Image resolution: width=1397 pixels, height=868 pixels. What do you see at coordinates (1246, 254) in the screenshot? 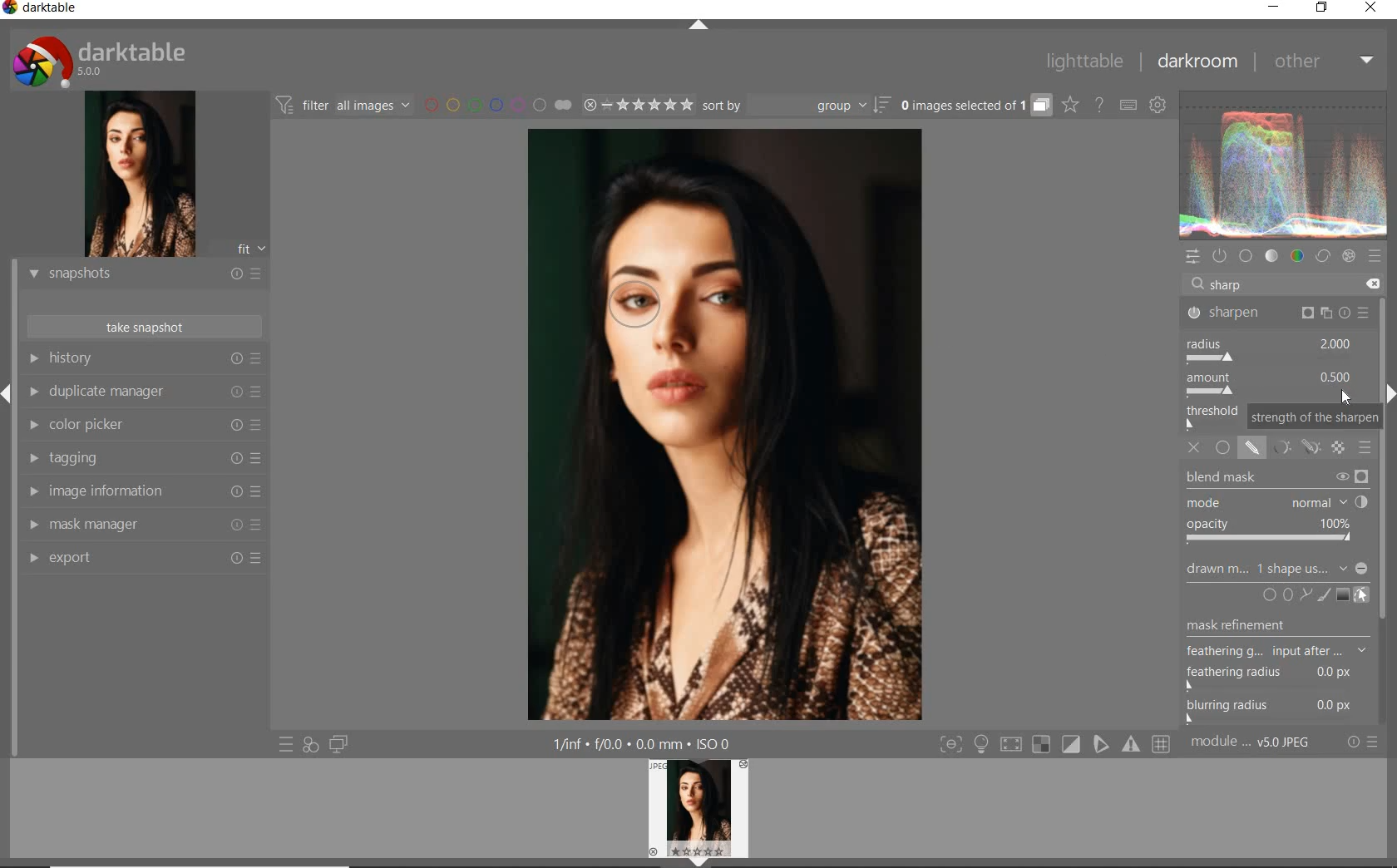
I see `base` at bounding box center [1246, 254].